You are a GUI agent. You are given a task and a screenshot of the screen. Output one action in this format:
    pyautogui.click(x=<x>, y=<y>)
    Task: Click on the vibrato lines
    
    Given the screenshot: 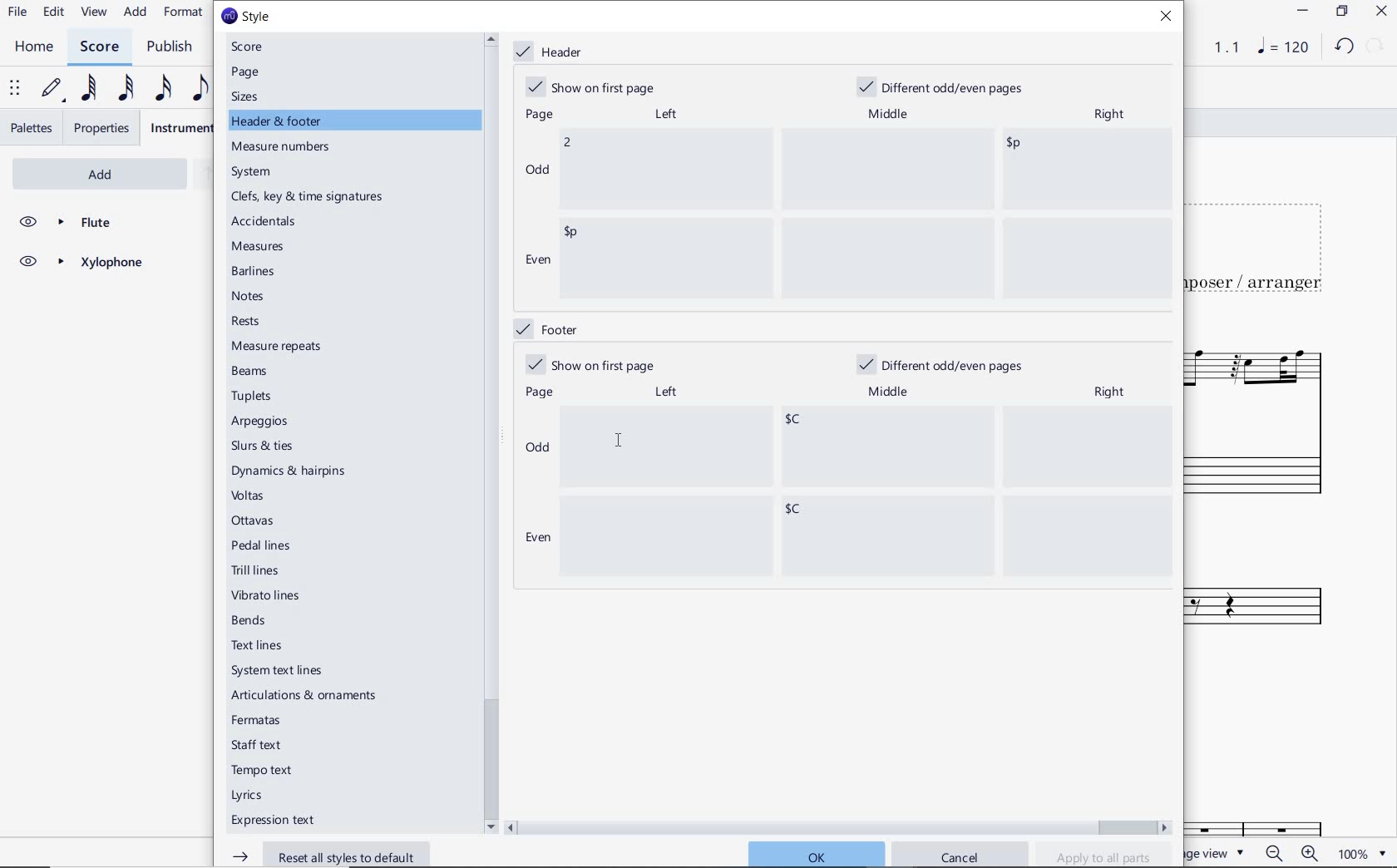 What is the action you would take?
    pyautogui.click(x=270, y=596)
    